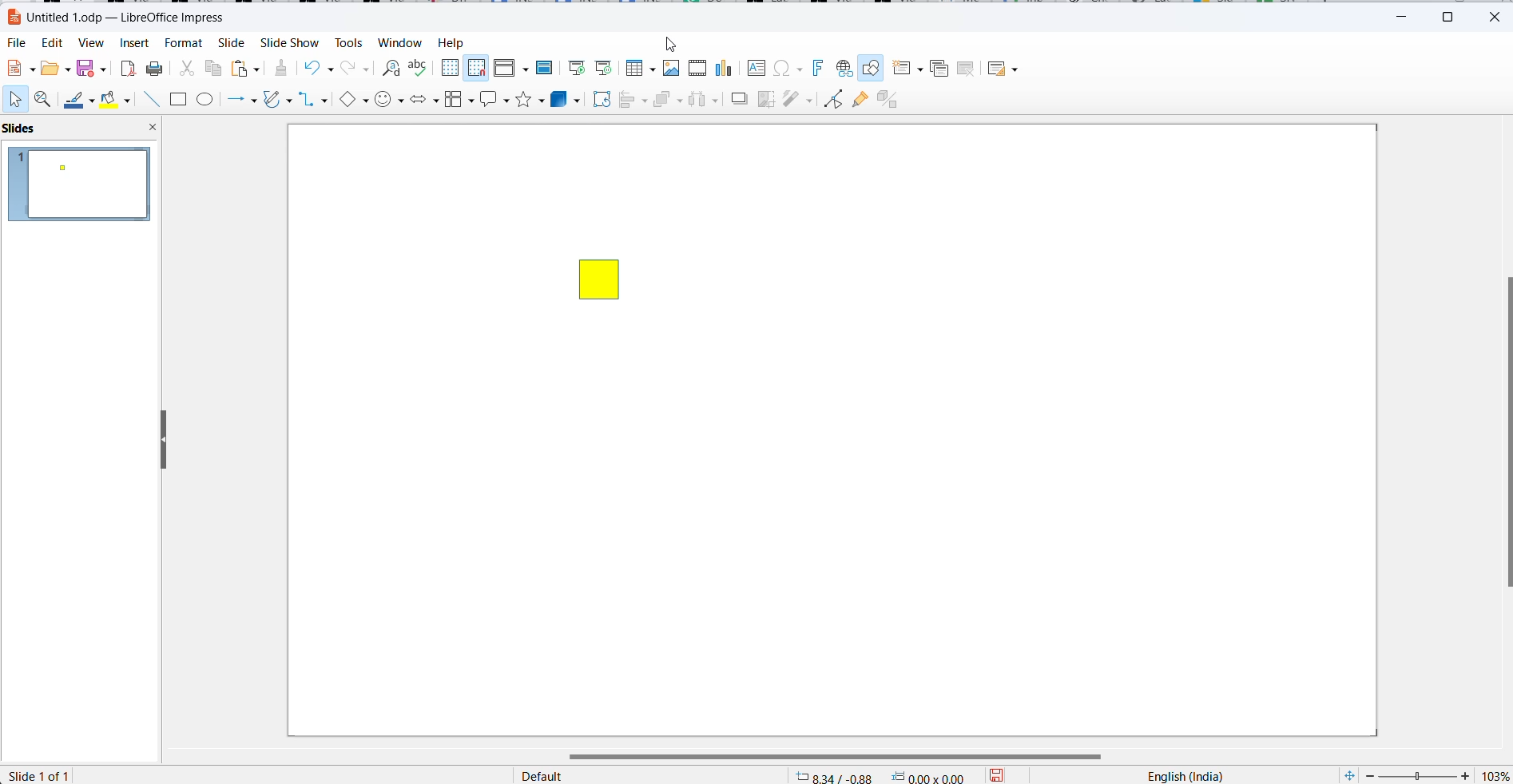  I want to click on save option, so click(89, 67).